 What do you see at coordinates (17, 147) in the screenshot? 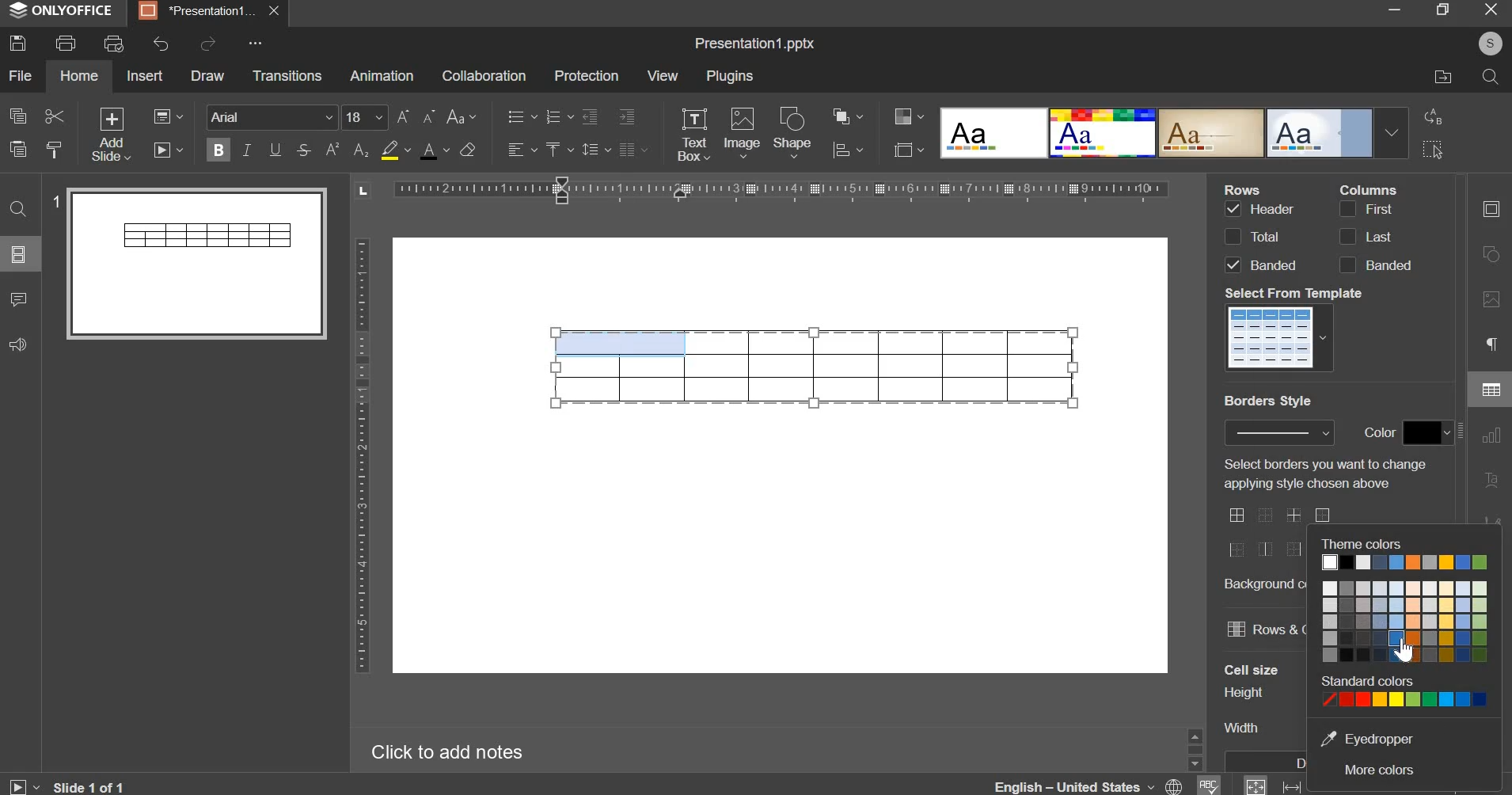
I see `paste` at bounding box center [17, 147].